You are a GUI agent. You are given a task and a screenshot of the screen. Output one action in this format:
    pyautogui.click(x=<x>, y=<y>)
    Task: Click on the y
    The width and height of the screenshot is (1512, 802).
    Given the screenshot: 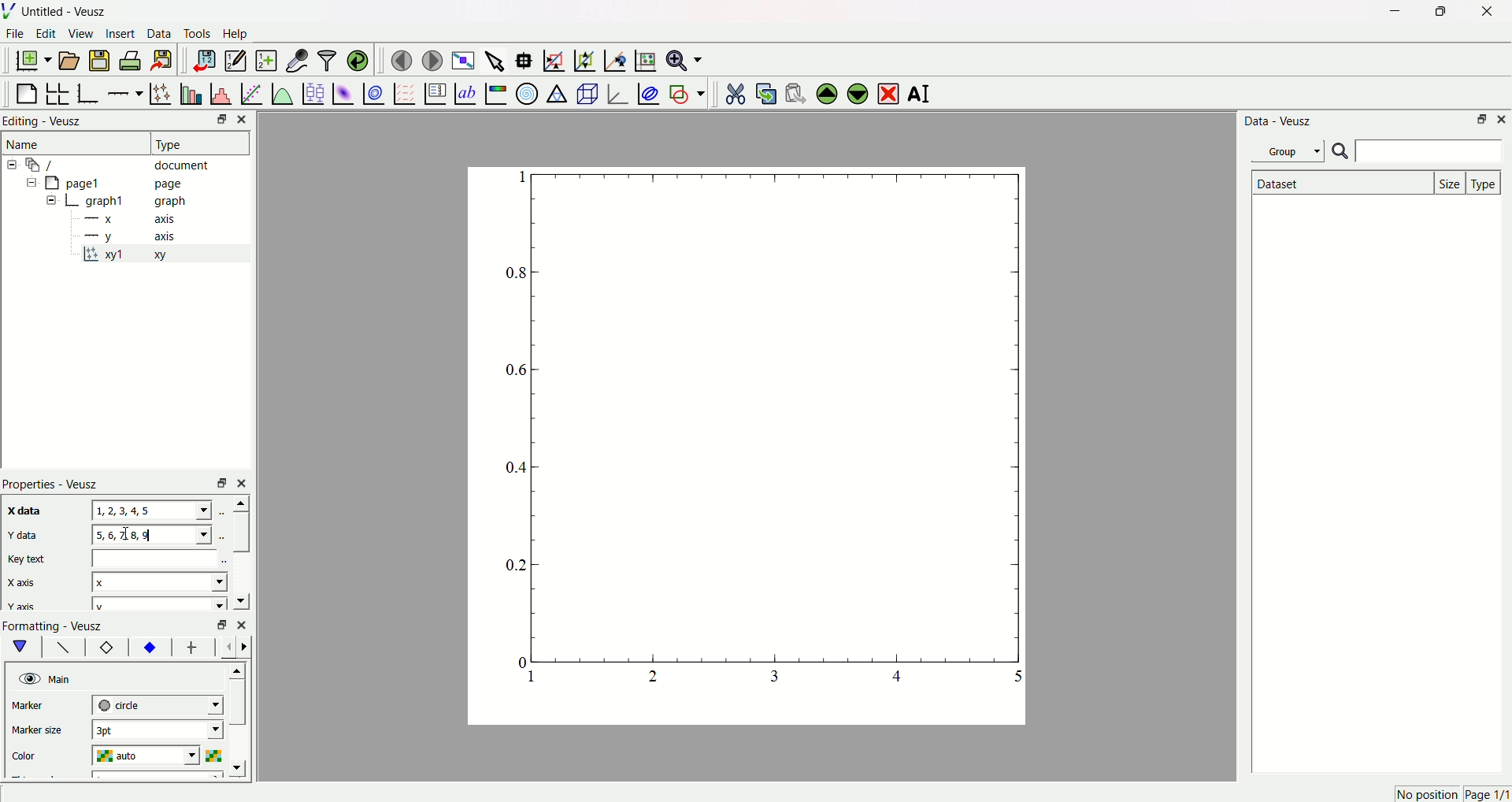 What is the action you would take?
    pyautogui.click(x=156, y=604)
    